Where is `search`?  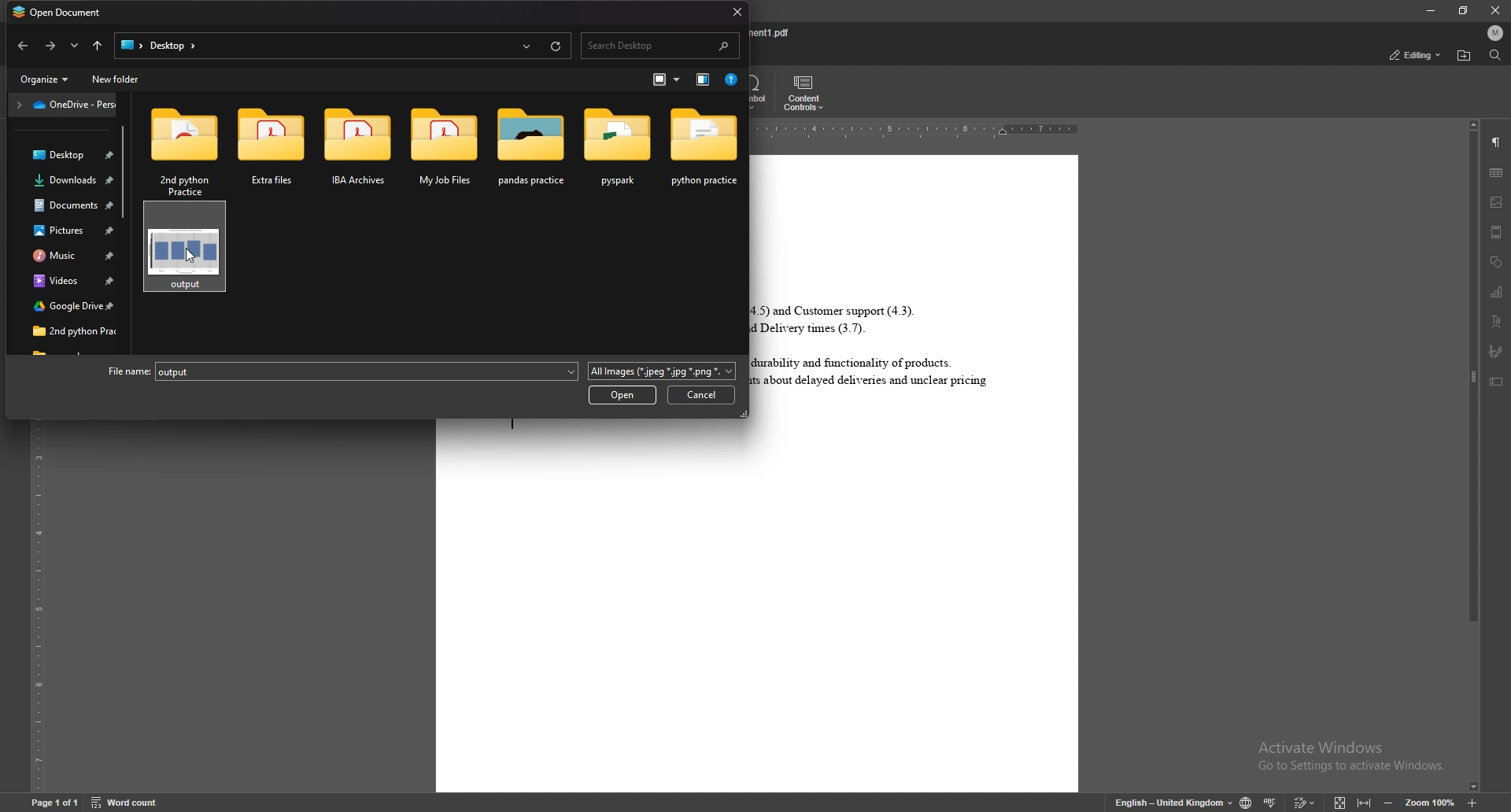
search is located at coordinates (660, 45).